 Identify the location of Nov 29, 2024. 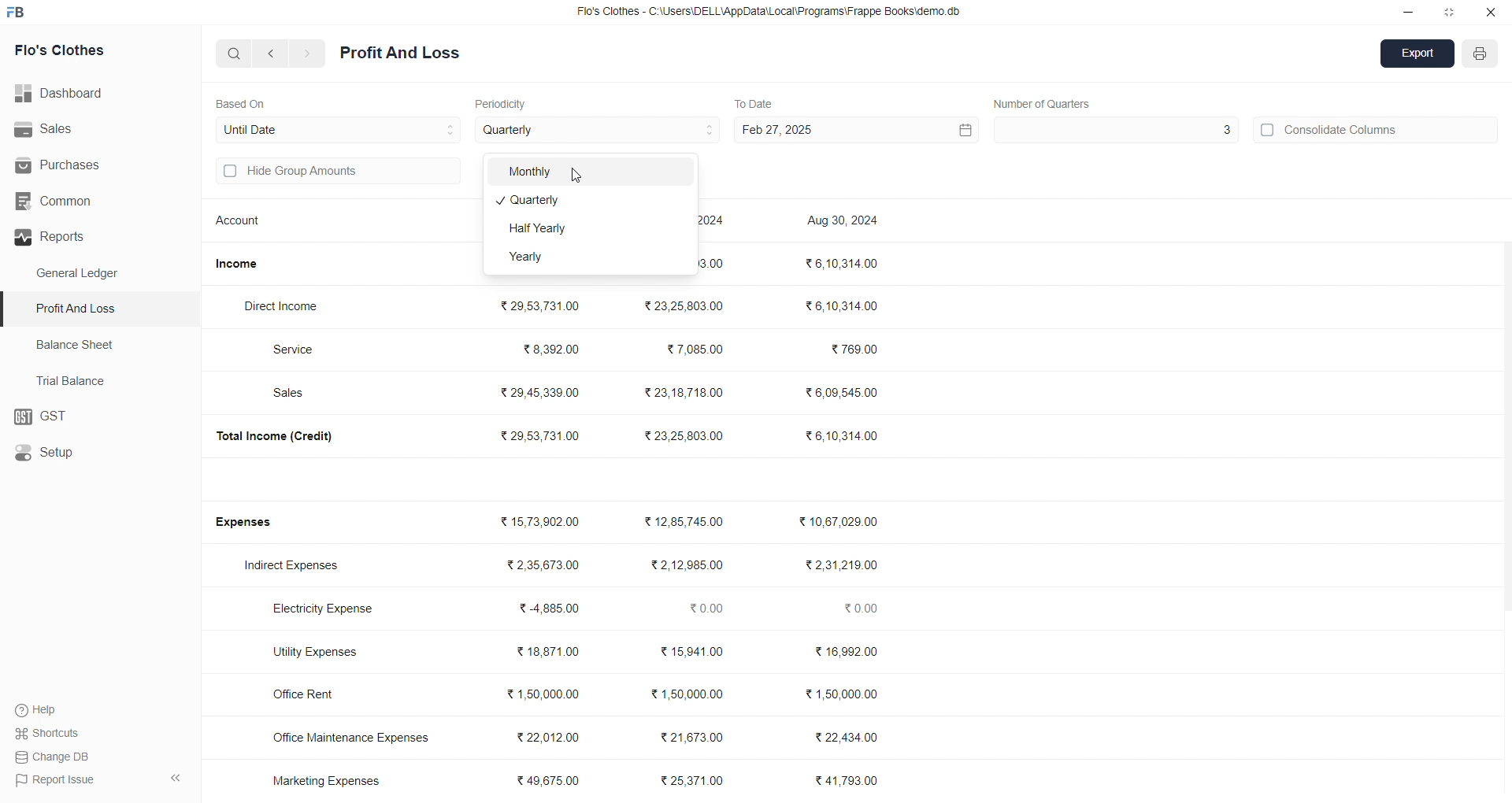
(722, 223).